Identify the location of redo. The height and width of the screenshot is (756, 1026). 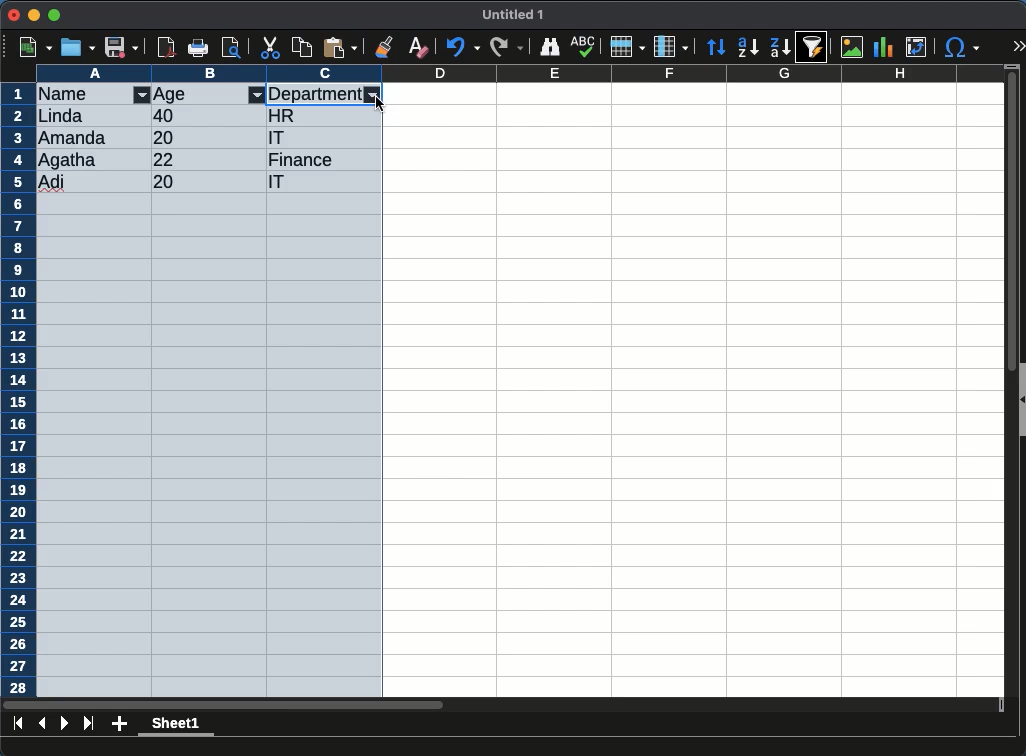
(505, 47).